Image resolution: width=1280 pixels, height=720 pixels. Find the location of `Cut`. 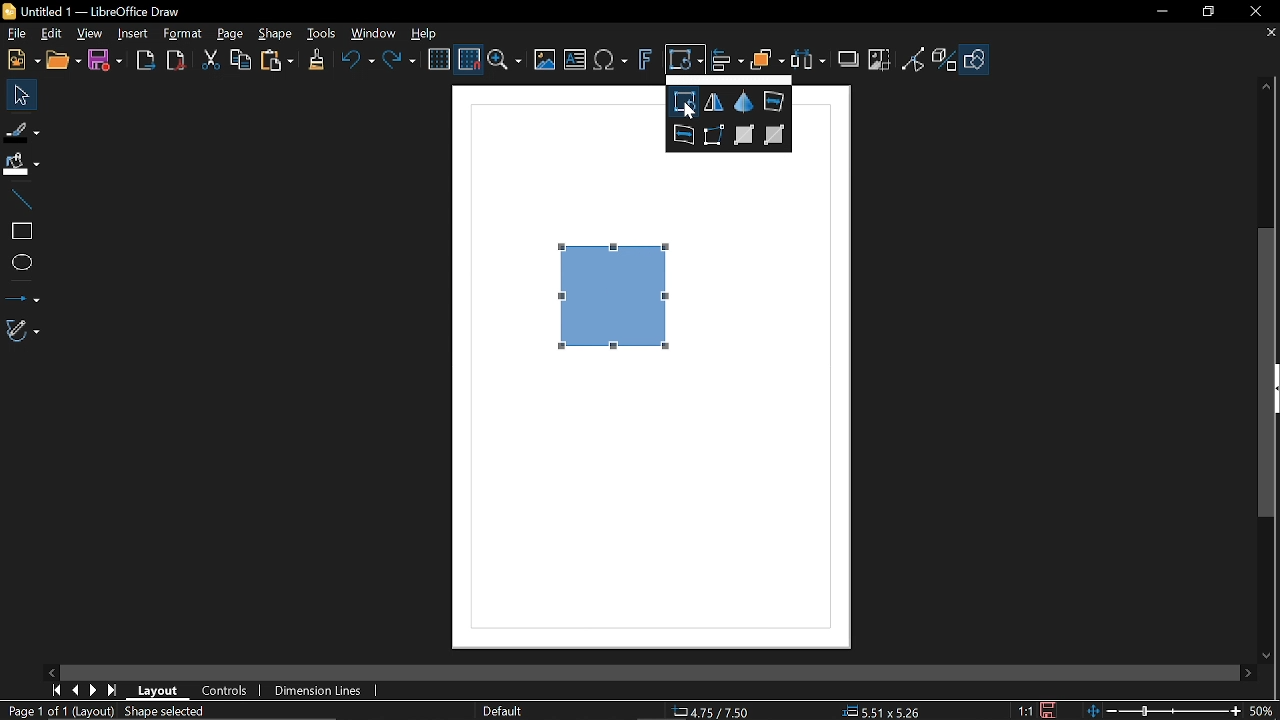

Cut is located at coordinates (208, 61).